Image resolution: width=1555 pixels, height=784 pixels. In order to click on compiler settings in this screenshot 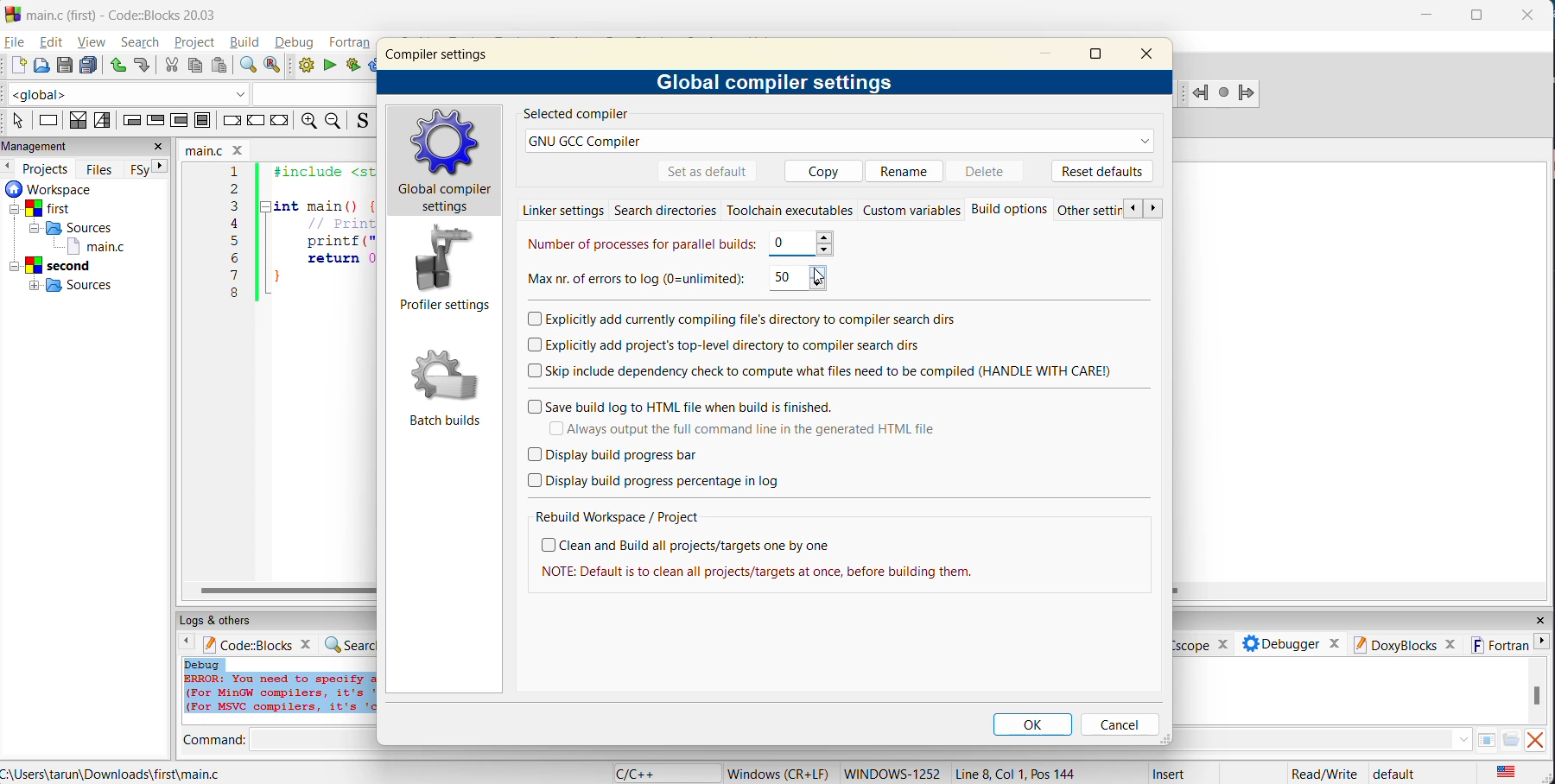, I will do `click(443, 59)`.